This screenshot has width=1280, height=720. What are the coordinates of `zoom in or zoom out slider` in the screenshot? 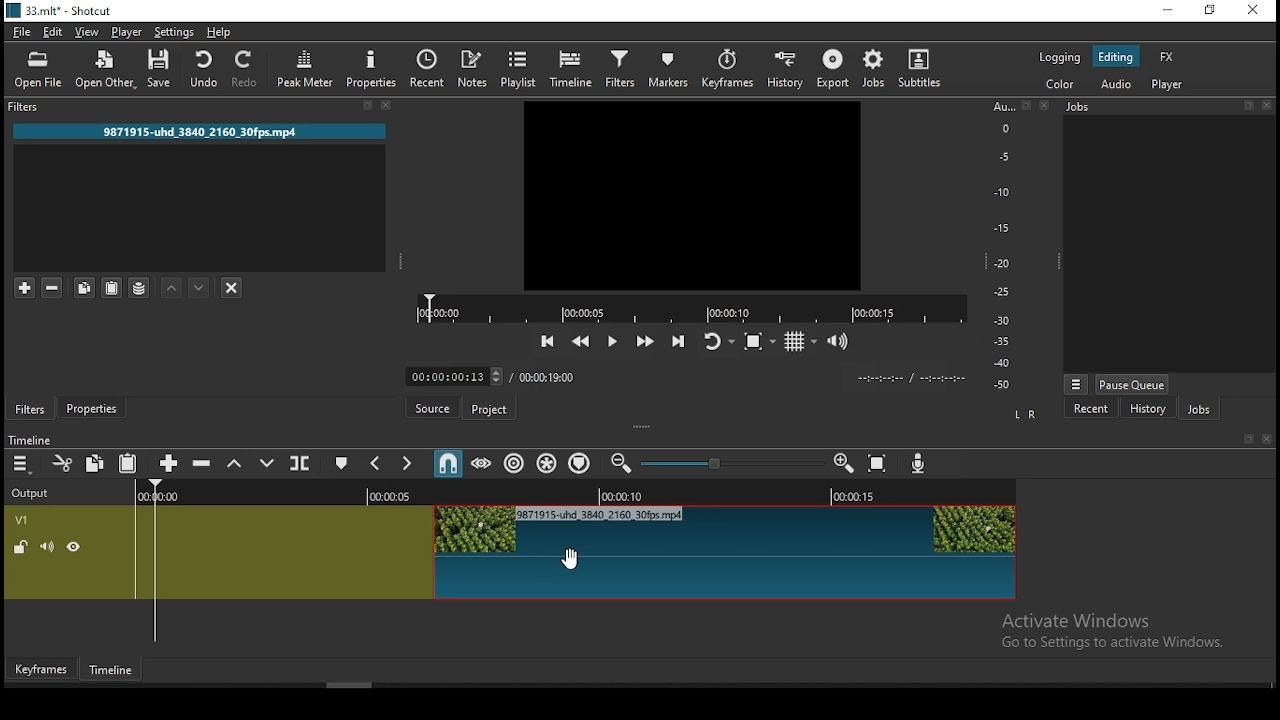 It's located at (727, 464).